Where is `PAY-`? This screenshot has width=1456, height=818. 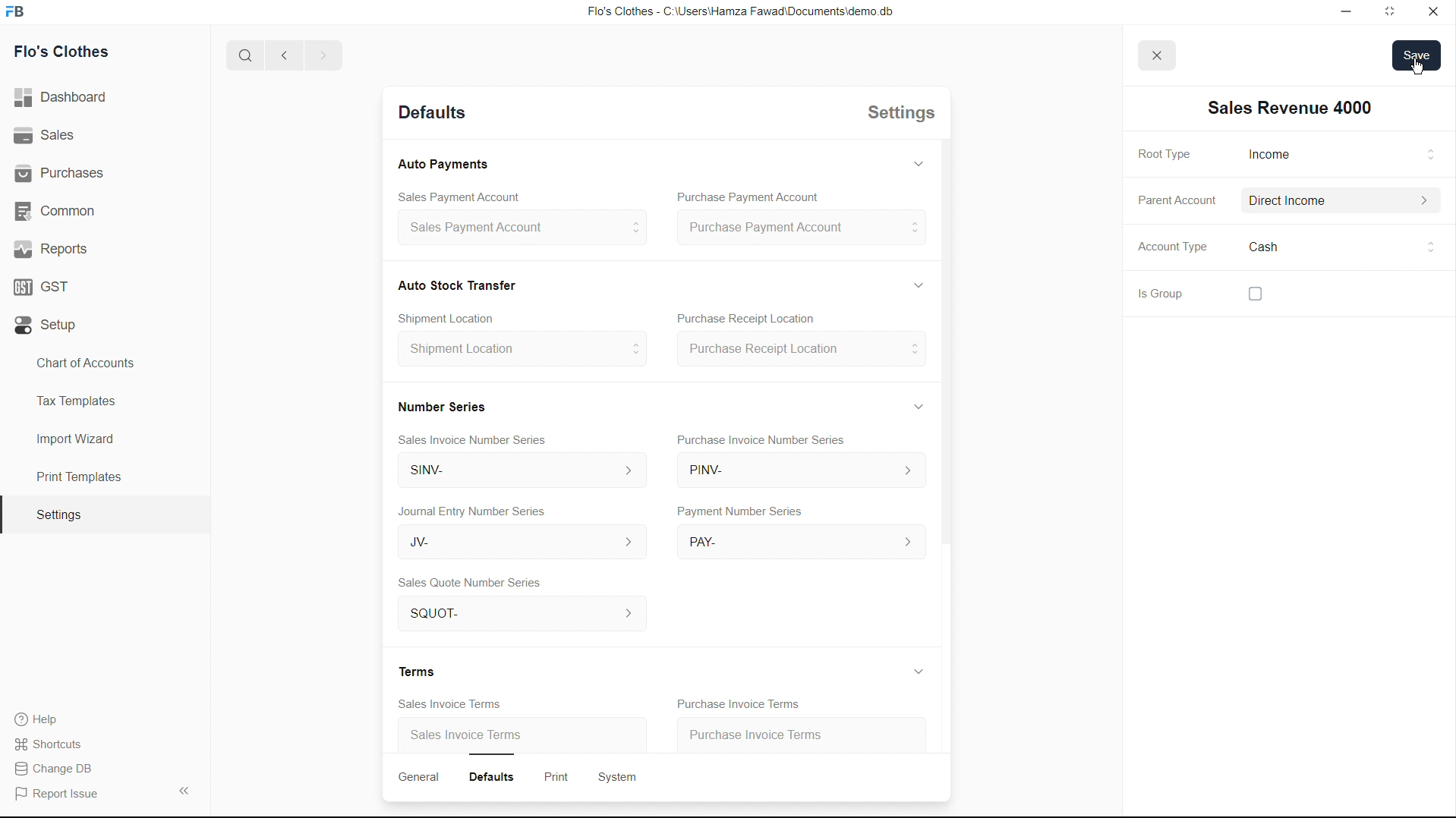
PAY- is located at coordinates (801, 540).